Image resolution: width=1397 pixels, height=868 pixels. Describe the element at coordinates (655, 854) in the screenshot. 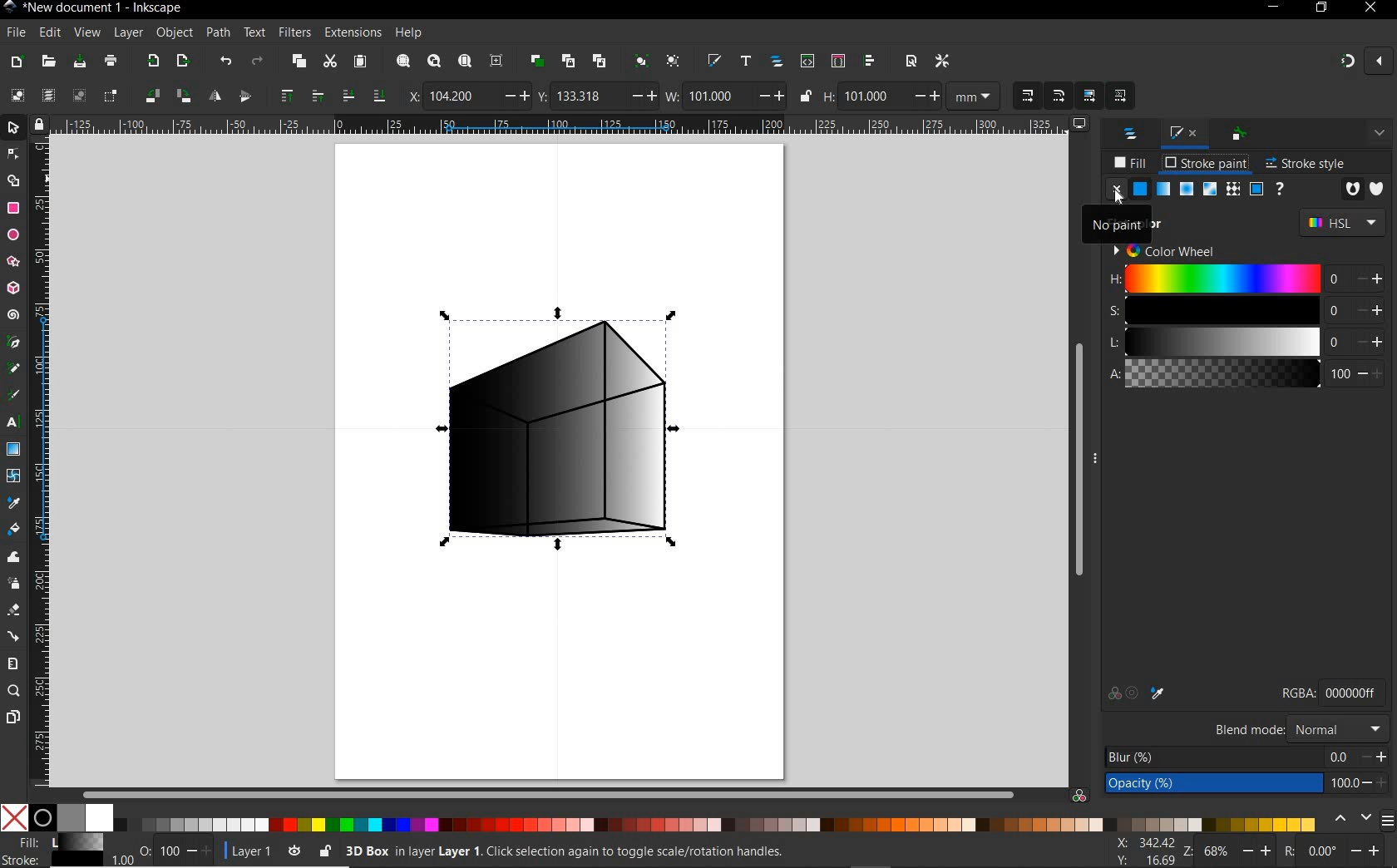

I see `NO OBJECTS SELECTED` at that location.